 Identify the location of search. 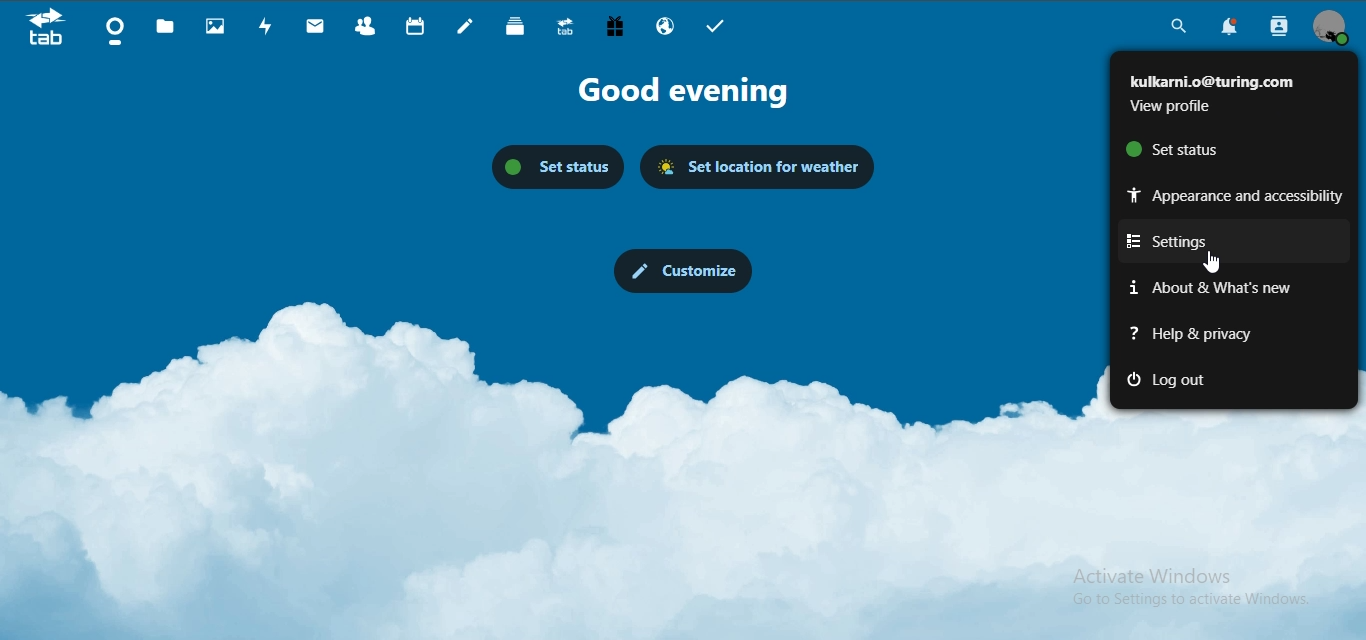
(1175, 29).